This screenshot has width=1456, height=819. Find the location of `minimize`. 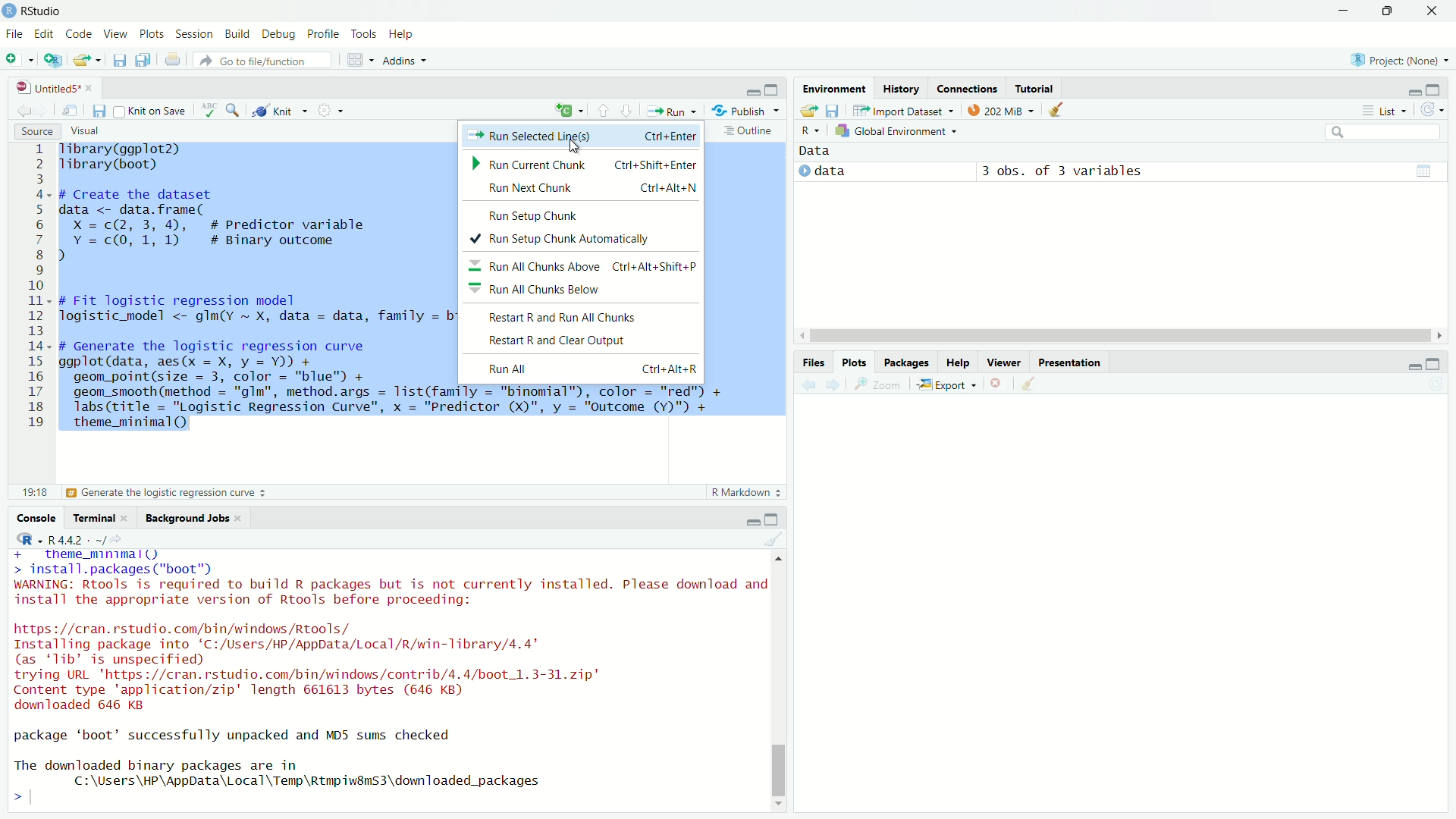

minimize is located at coordinates (753, 92).